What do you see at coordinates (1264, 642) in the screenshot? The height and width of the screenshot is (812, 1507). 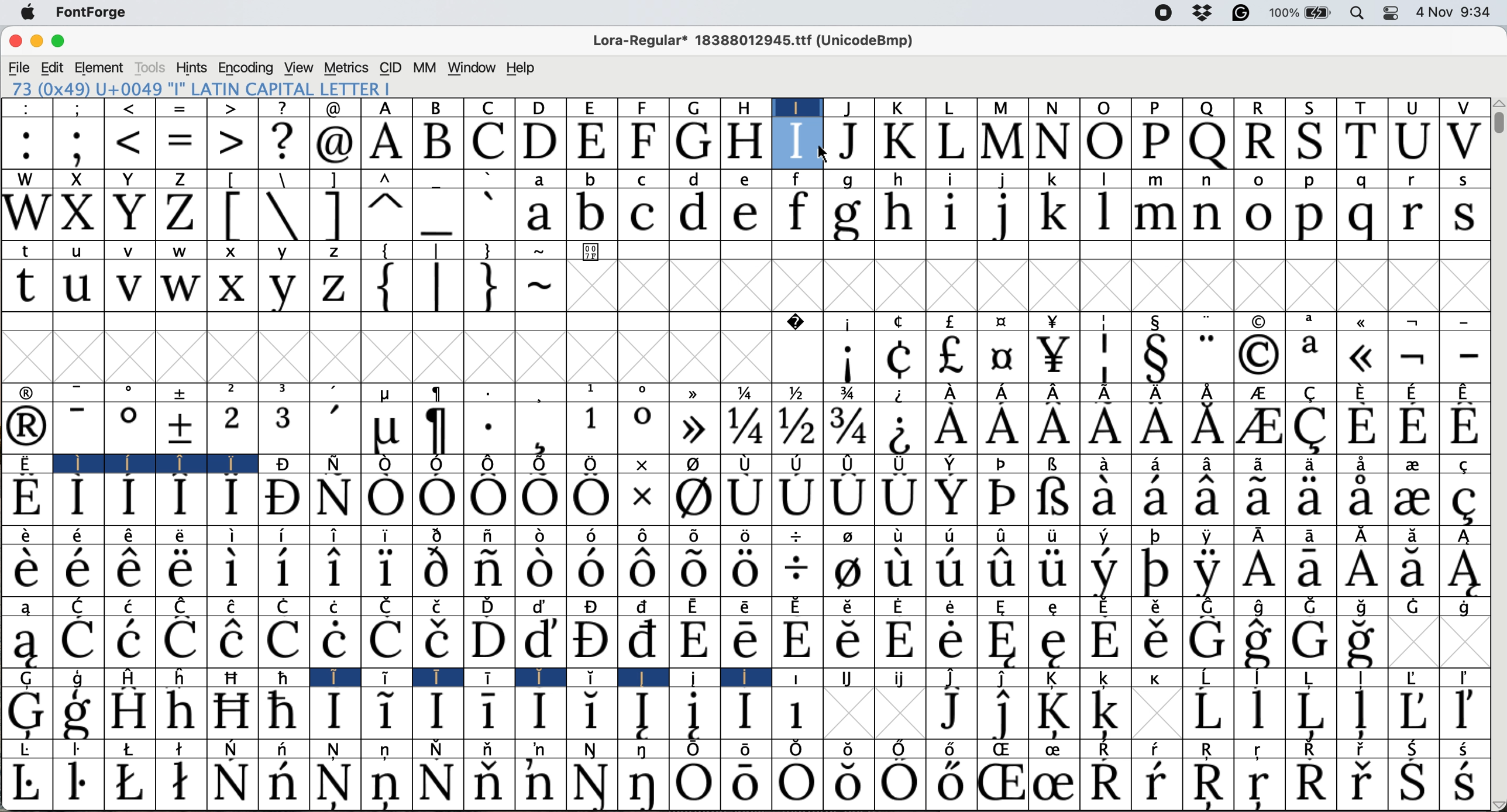 I see `Symbol` at bounding box center [1264, 642].